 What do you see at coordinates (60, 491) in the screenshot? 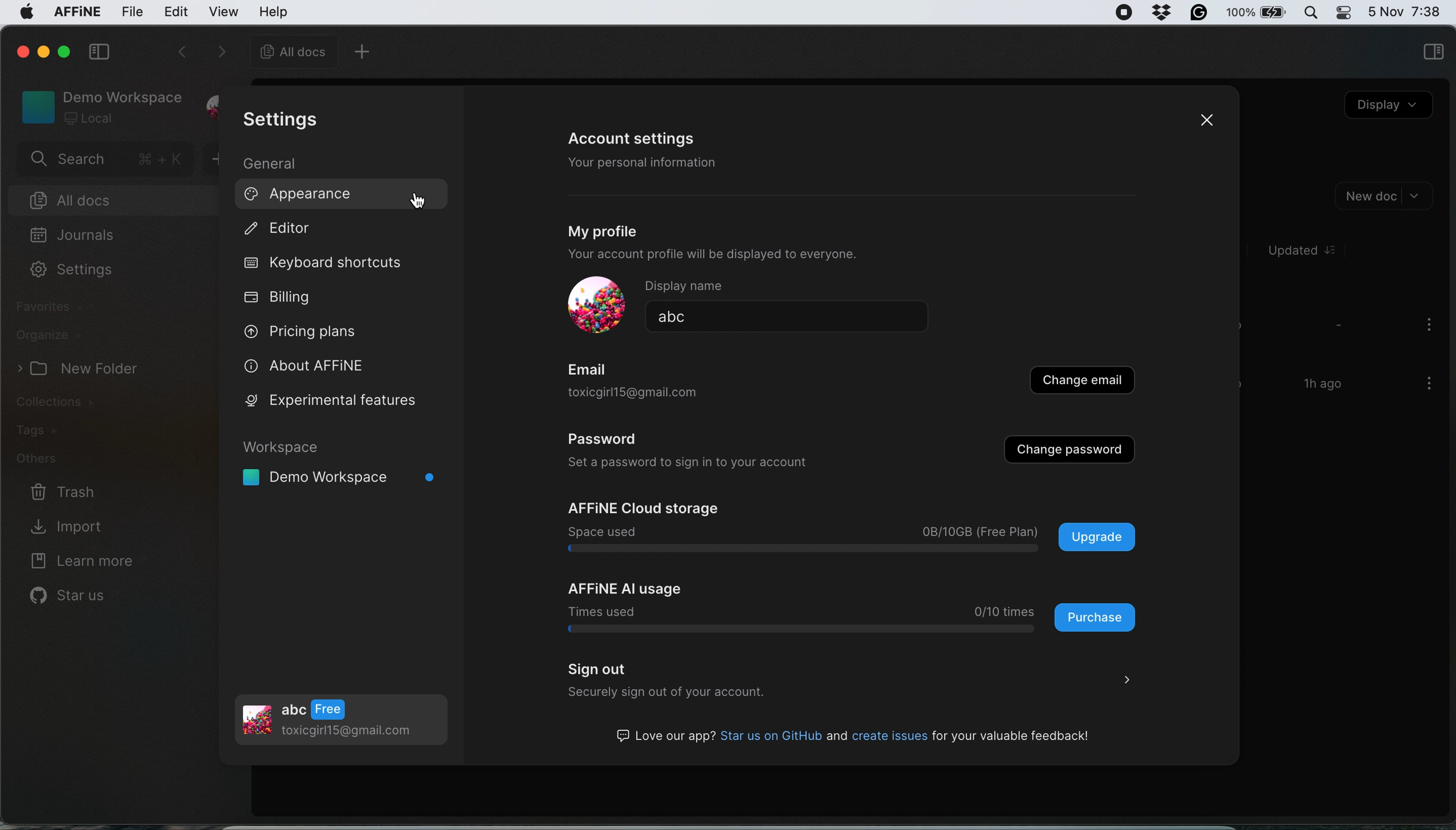
I see `trash` at bounding box center [60, 491].